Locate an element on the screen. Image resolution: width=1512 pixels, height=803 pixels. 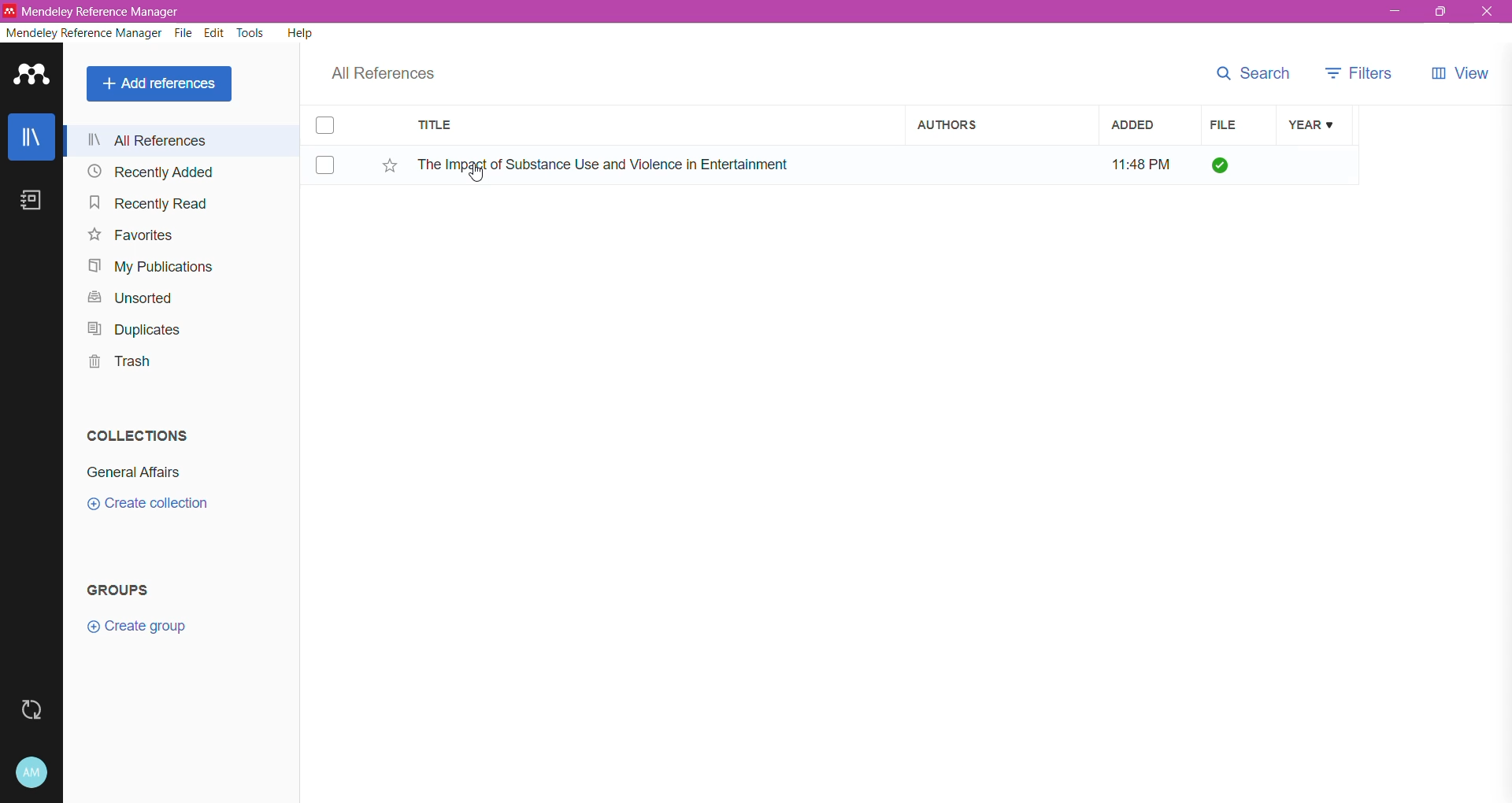
Click to select Item(s) is located at coordinates (326, 125).